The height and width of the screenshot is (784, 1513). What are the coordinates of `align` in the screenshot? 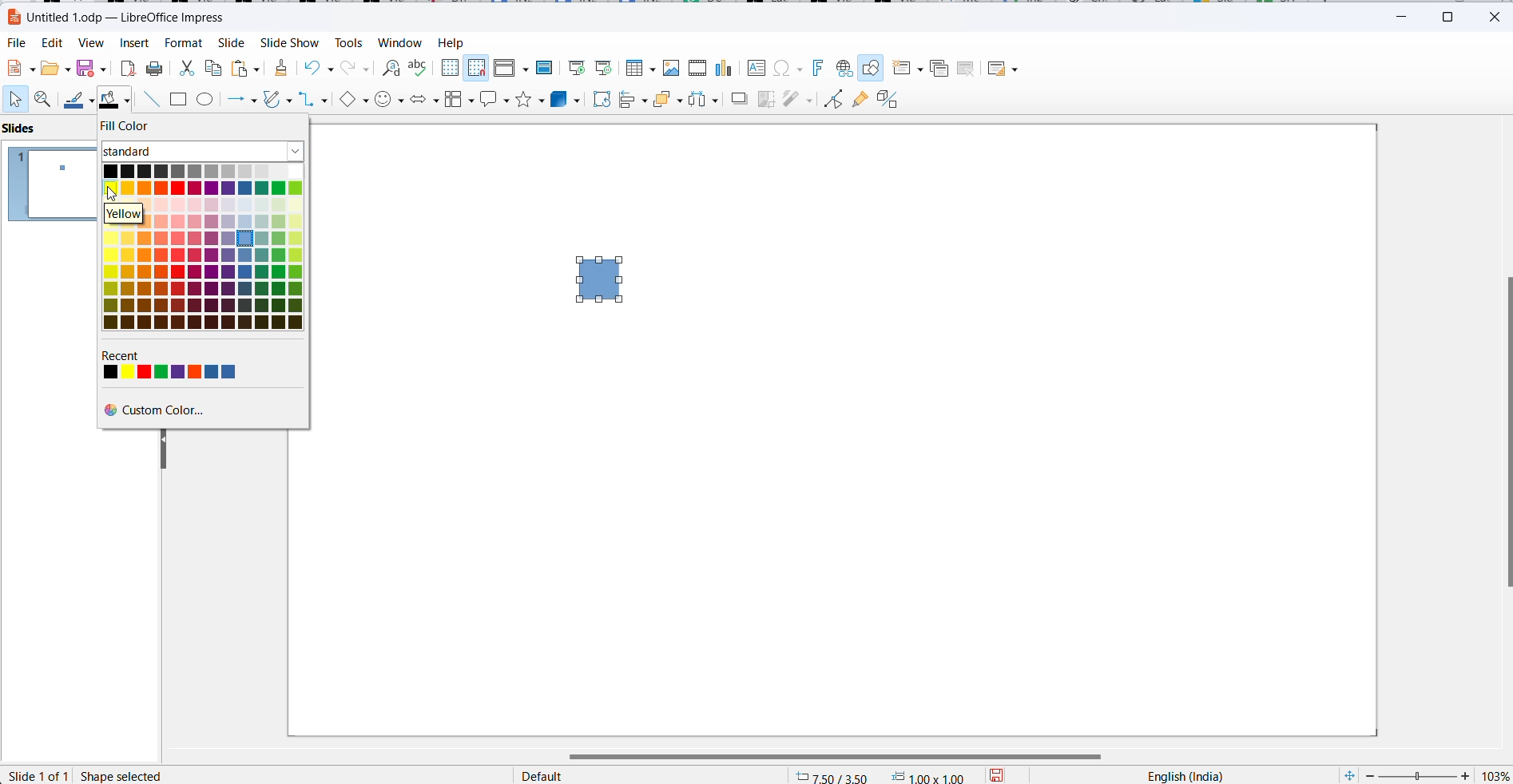 It's located at (633, 101).